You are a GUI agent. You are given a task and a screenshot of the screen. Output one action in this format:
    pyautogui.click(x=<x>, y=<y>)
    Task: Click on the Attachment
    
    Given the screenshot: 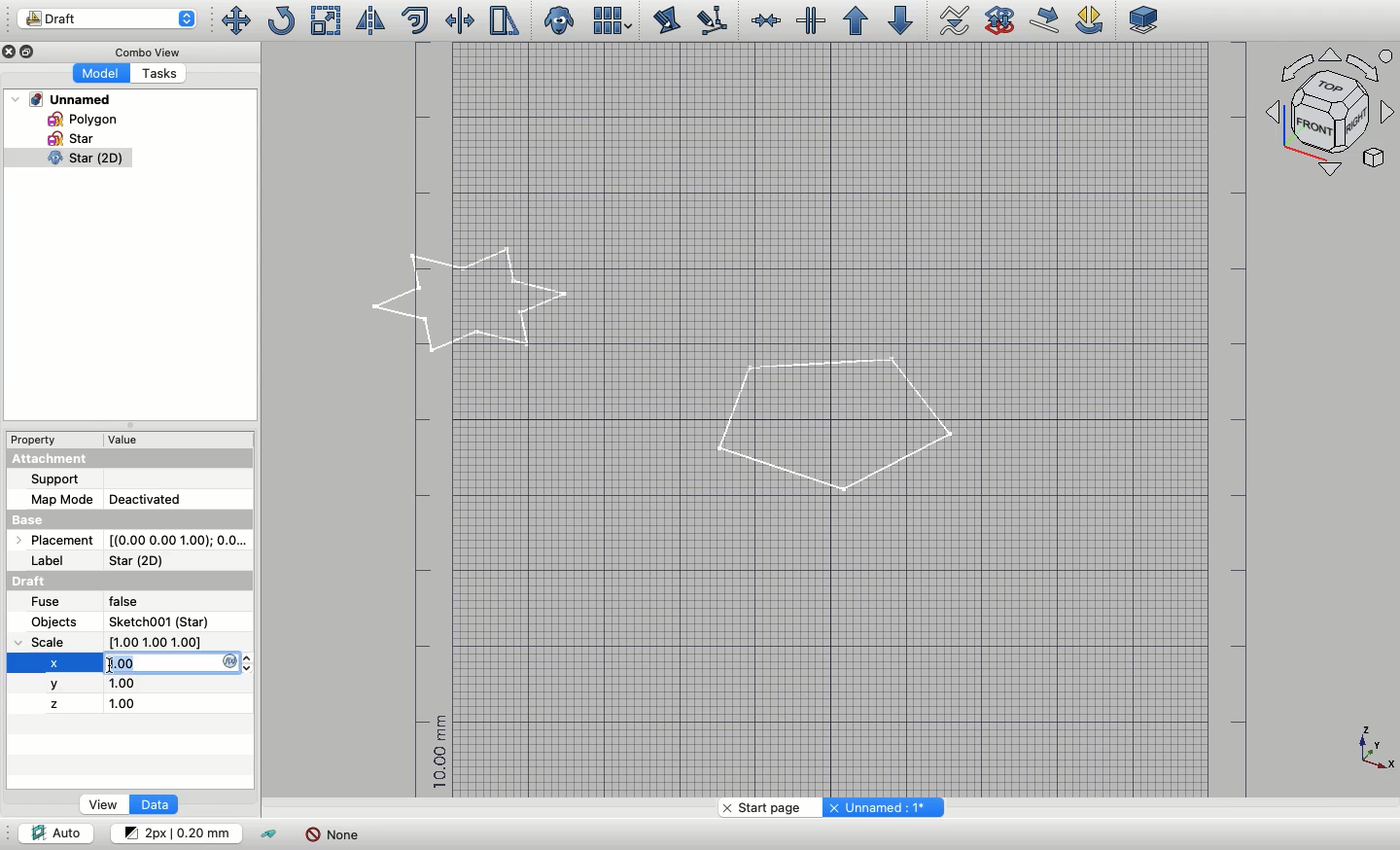 What is the action you would take?
    pyautogui.click(x=129, y=458)
    